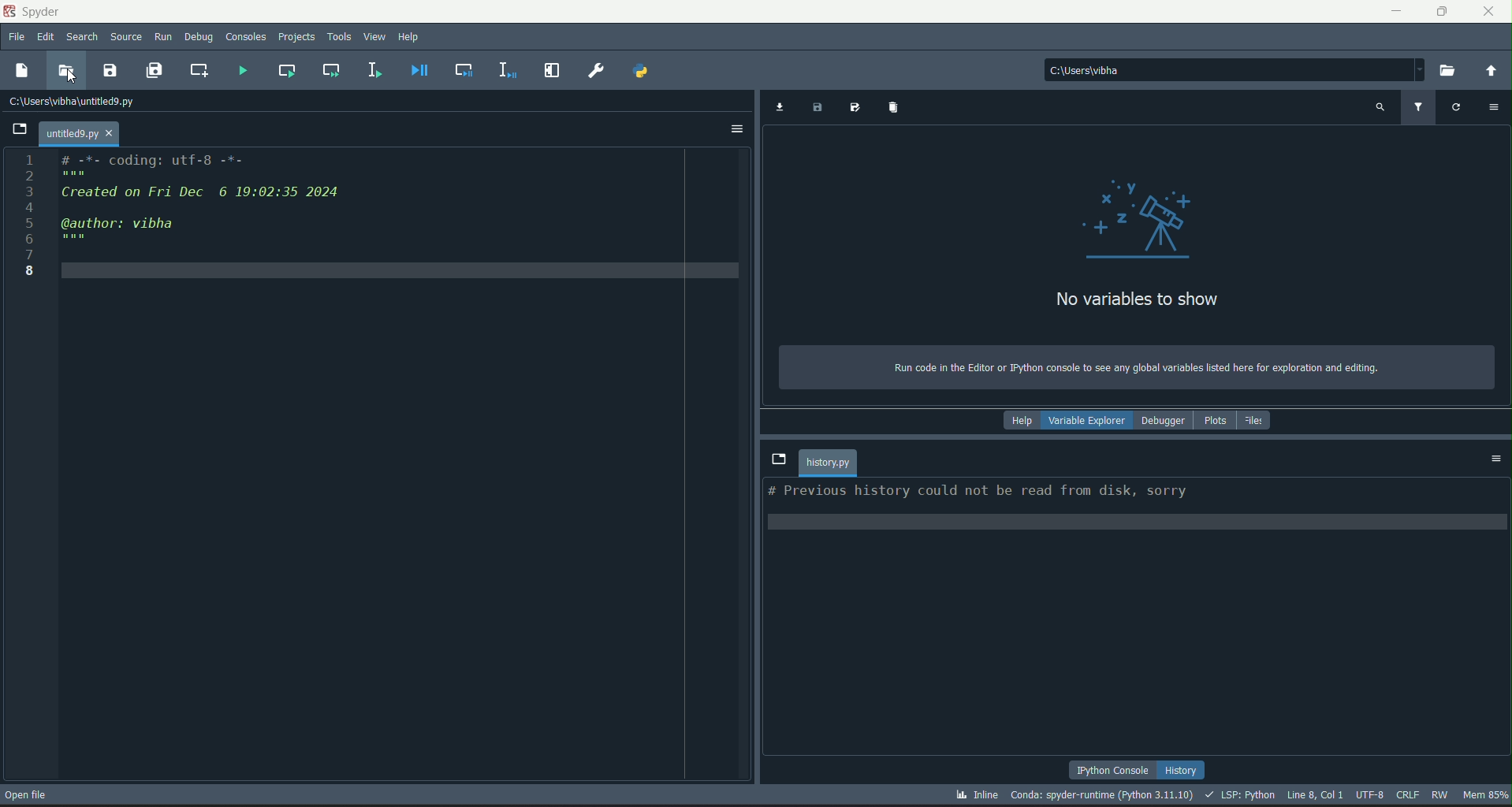 The height and width of the screenshot is (807, 1512). Describe the element at coordinates (463, 72) in the screenshot. I see `debug cell` at that location.